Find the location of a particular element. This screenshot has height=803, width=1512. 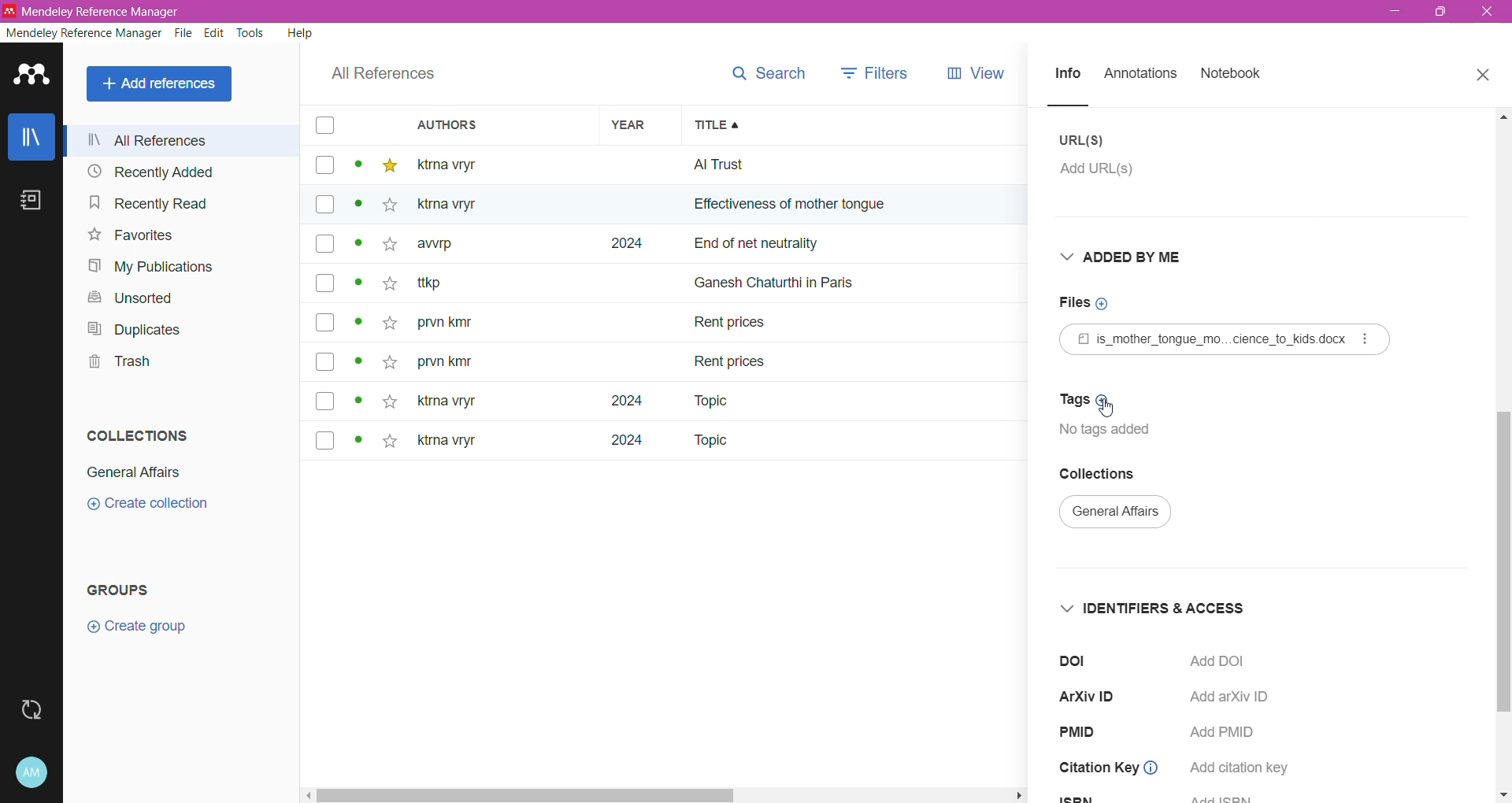

Click to Add DOI is located at coordinates (1229, 661).